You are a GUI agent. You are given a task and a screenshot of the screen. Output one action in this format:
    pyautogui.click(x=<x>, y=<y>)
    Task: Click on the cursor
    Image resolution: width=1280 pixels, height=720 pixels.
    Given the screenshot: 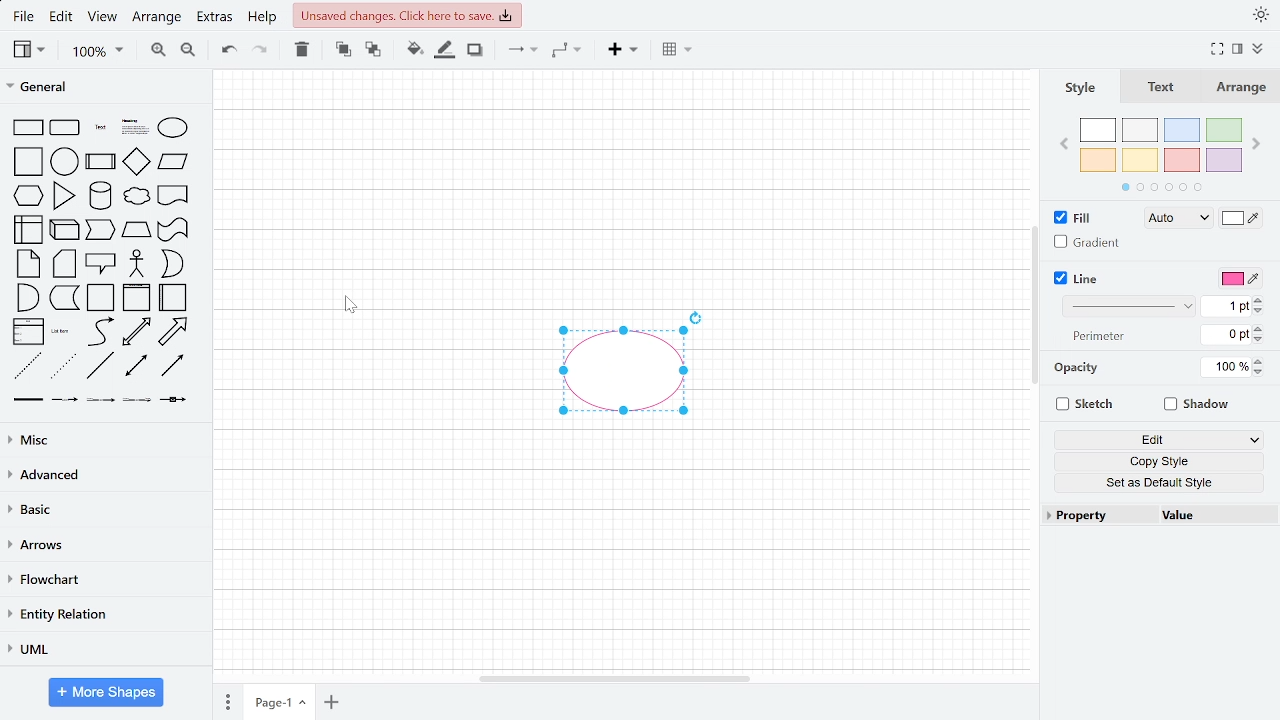 What is the action you would take?
    pyautogui.click(x=352, y=306)
    